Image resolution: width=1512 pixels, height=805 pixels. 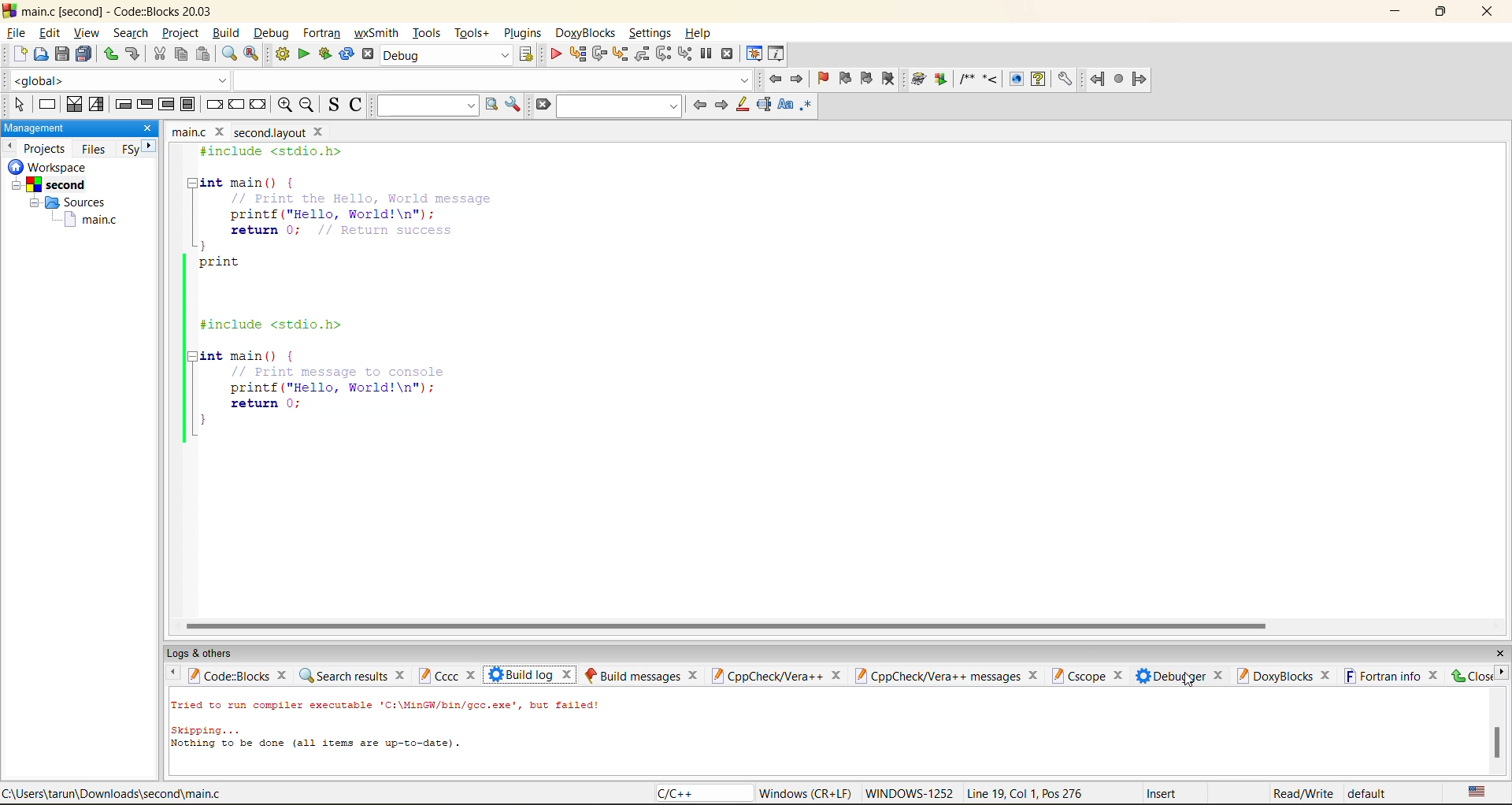 I want to click on cppcheck/vera++, so click(x=780, y=677).